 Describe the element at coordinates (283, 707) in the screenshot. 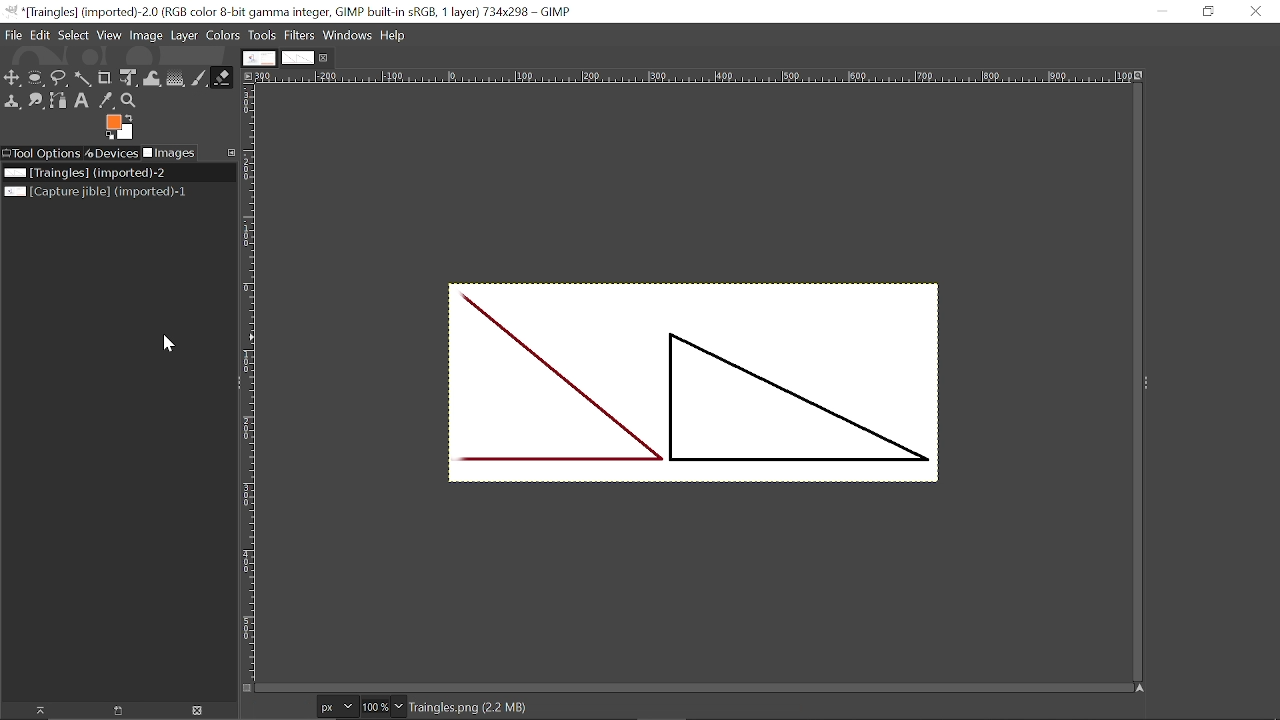

I see `6.0 6.0` at that location.